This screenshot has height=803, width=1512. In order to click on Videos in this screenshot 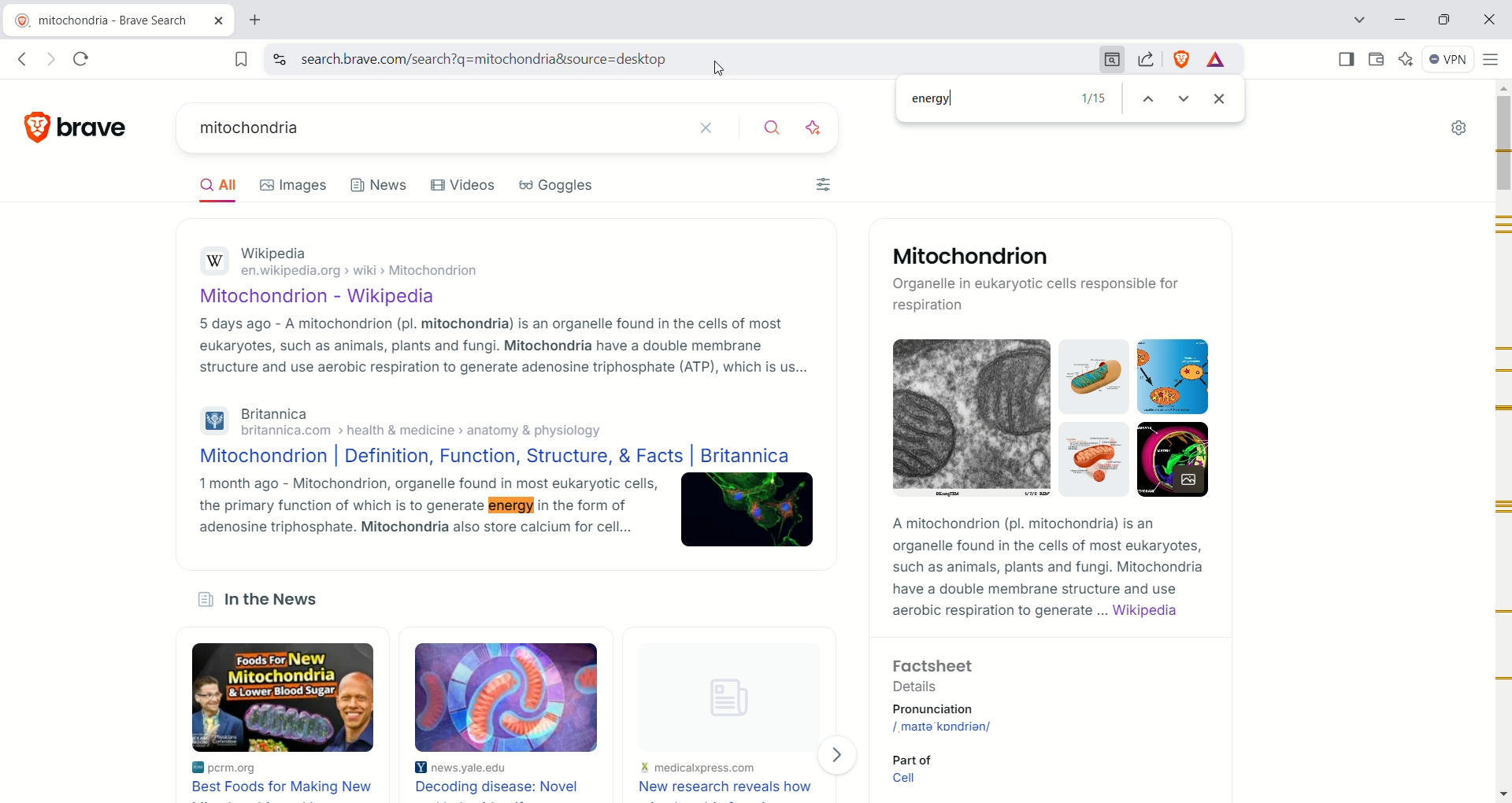, I will do `click(462, 185)`.